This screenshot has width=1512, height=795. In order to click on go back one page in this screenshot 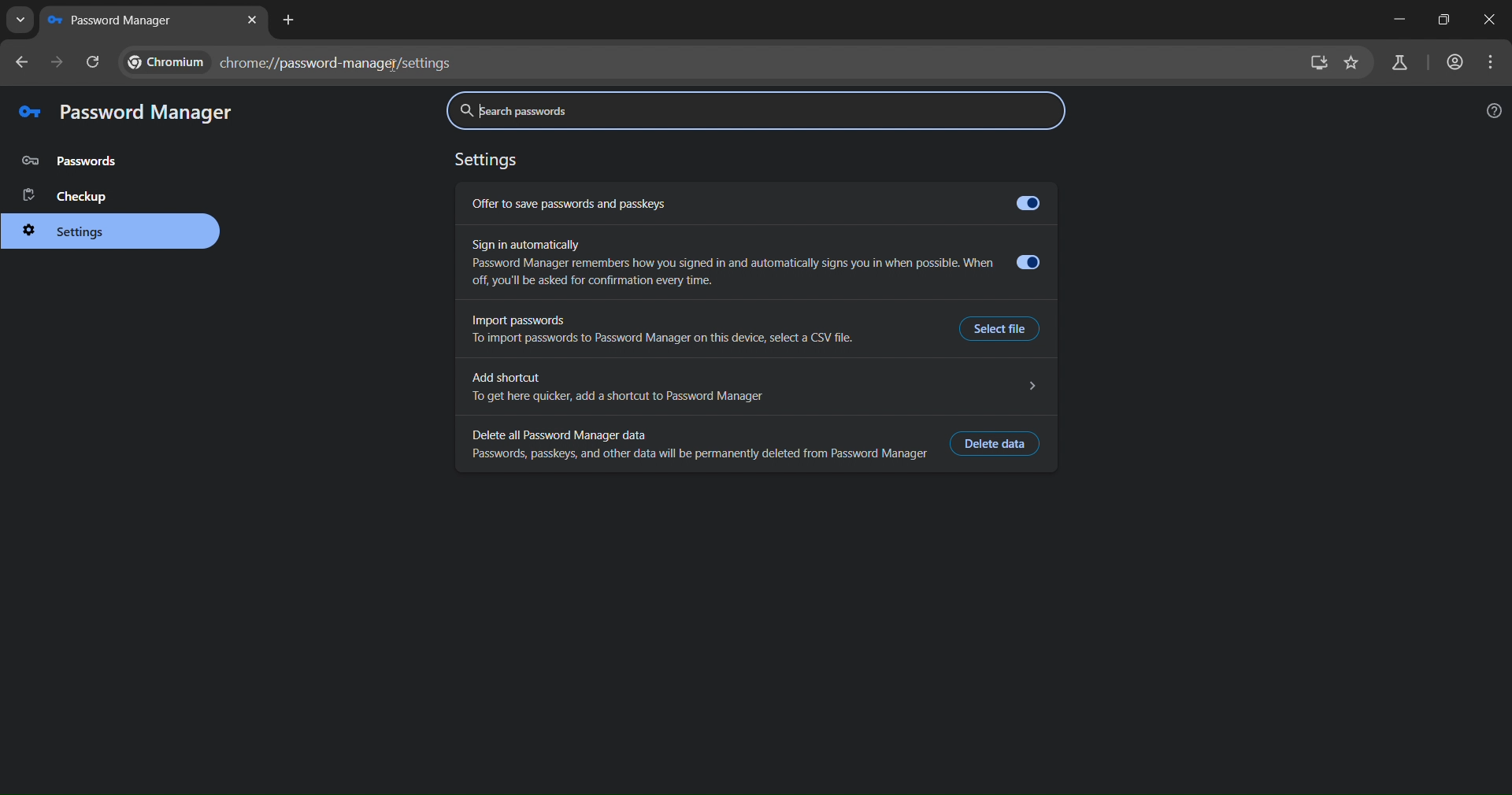, I will do `click(21, 64)`.